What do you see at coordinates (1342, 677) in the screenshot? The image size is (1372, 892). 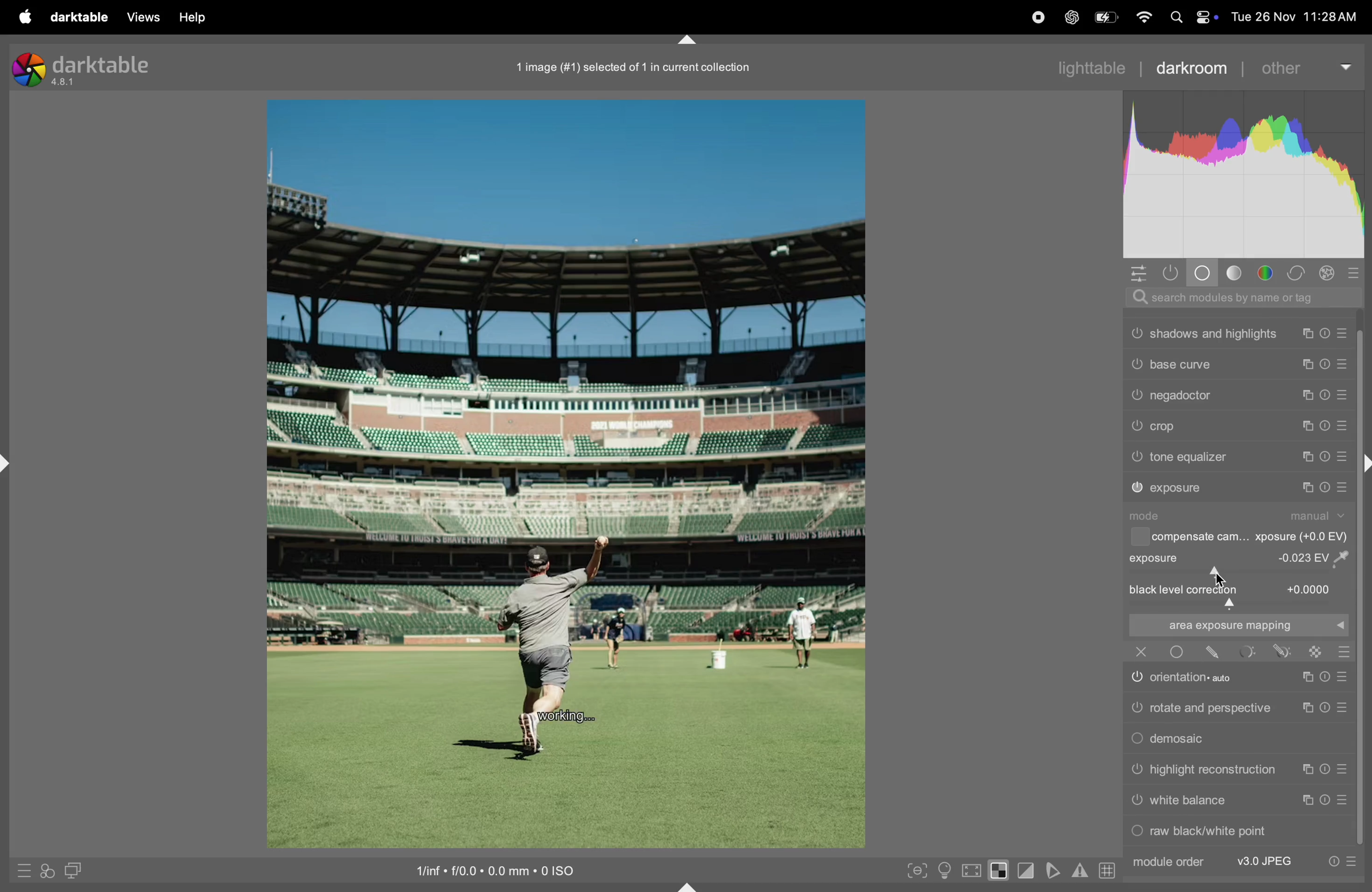 I see `Preset` at bounding box center [1342, 677].